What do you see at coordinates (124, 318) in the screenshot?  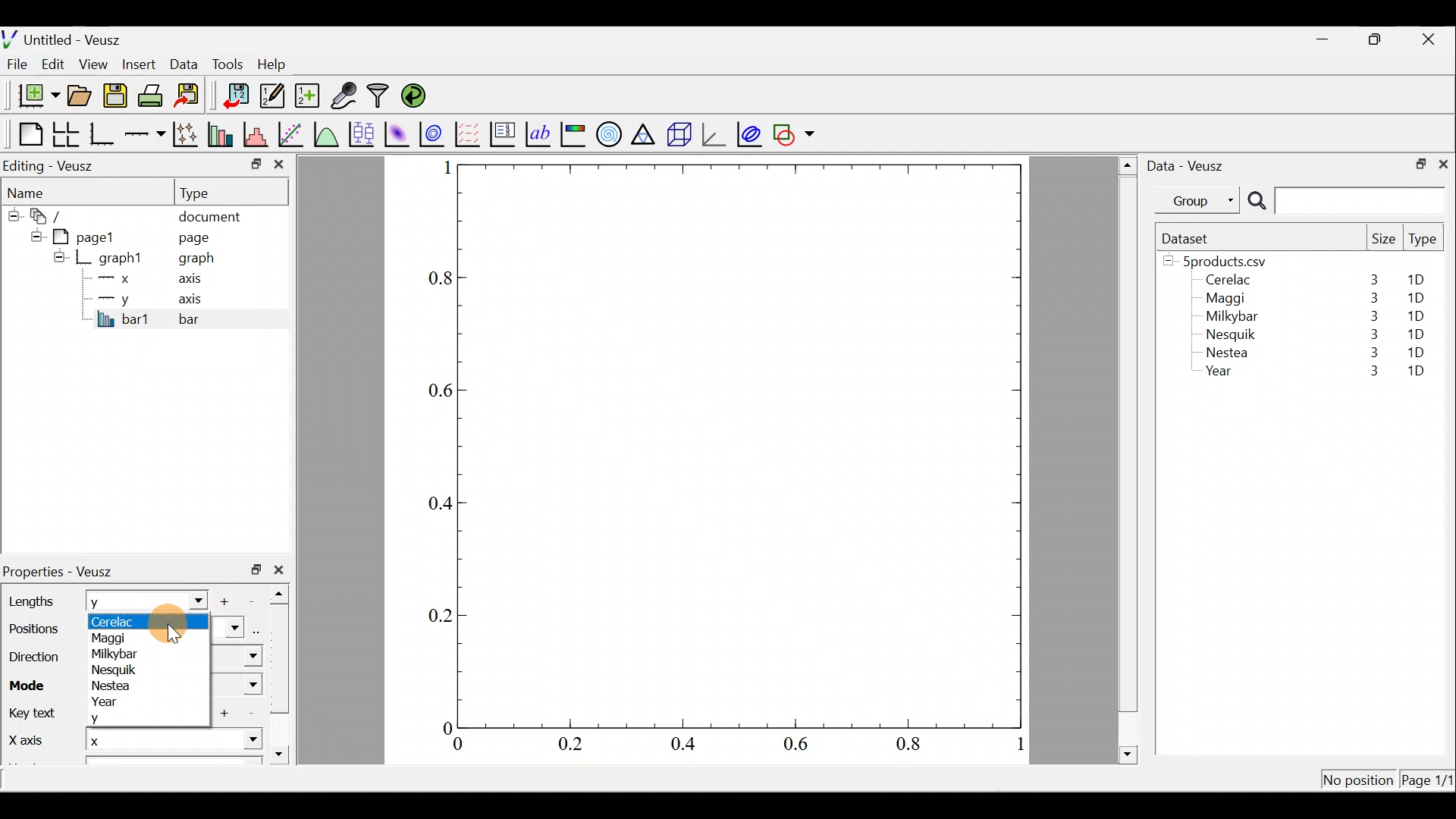 I see `bar1` at bounding box center [124, 318].